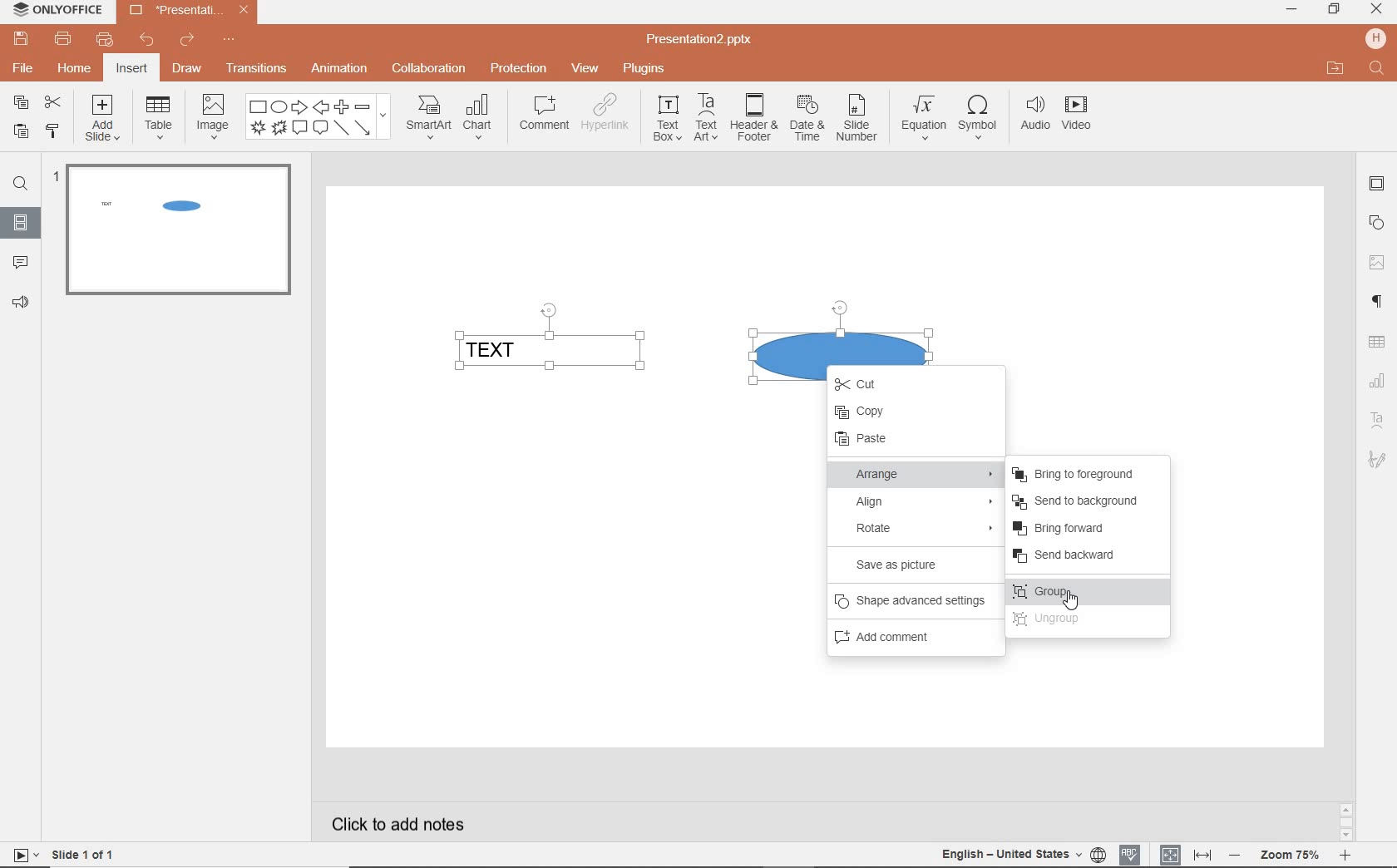 This screenshot has height=868, width=1397. What do you see at coordinates (103, 121) in the screenshot?
I see `add slide` at bounding box center [103, 121].